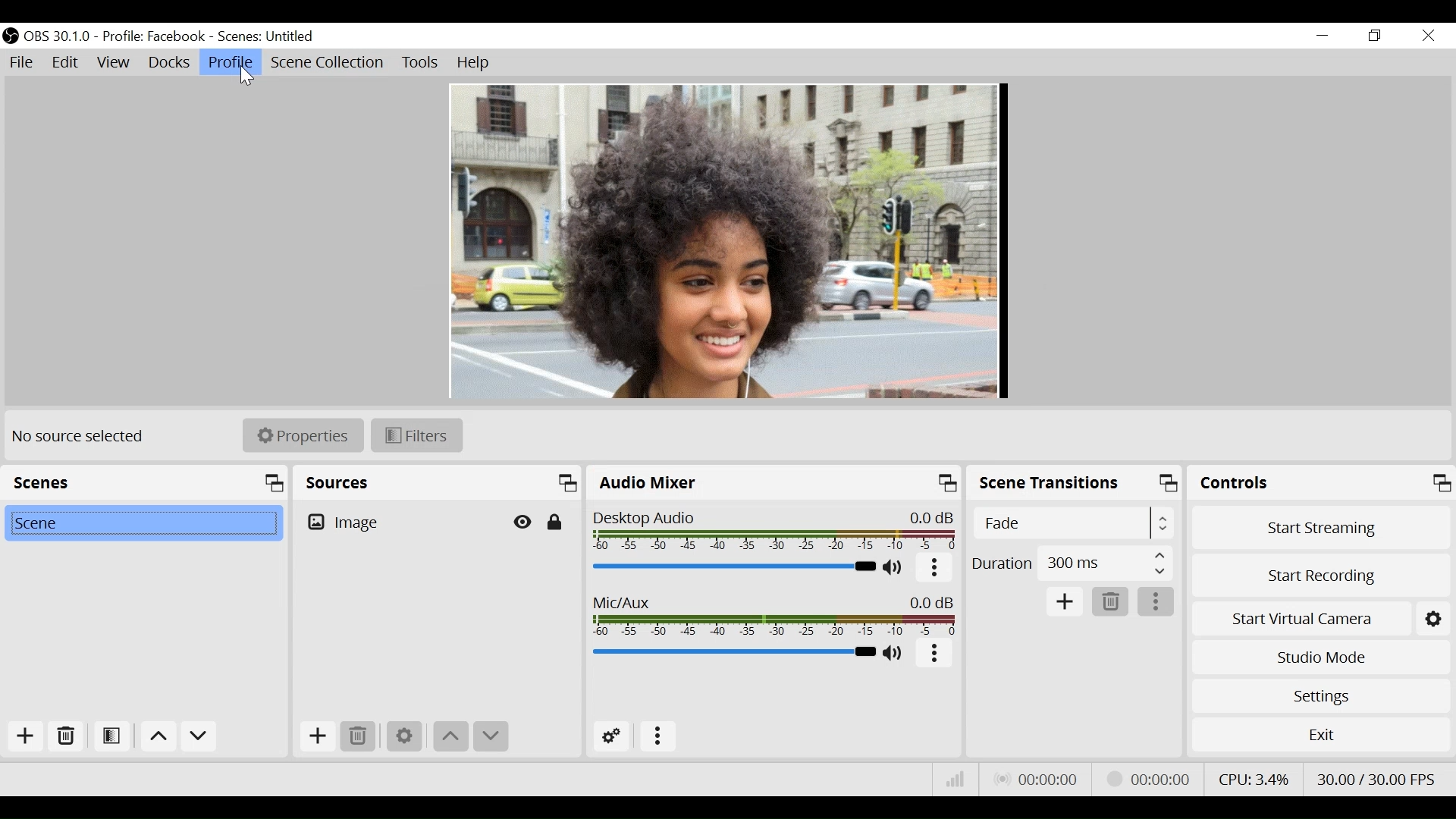 The image size is (1456, 819). Describe the element at coordinates (21, 738) in the screenshot. I see `Add` at that location.